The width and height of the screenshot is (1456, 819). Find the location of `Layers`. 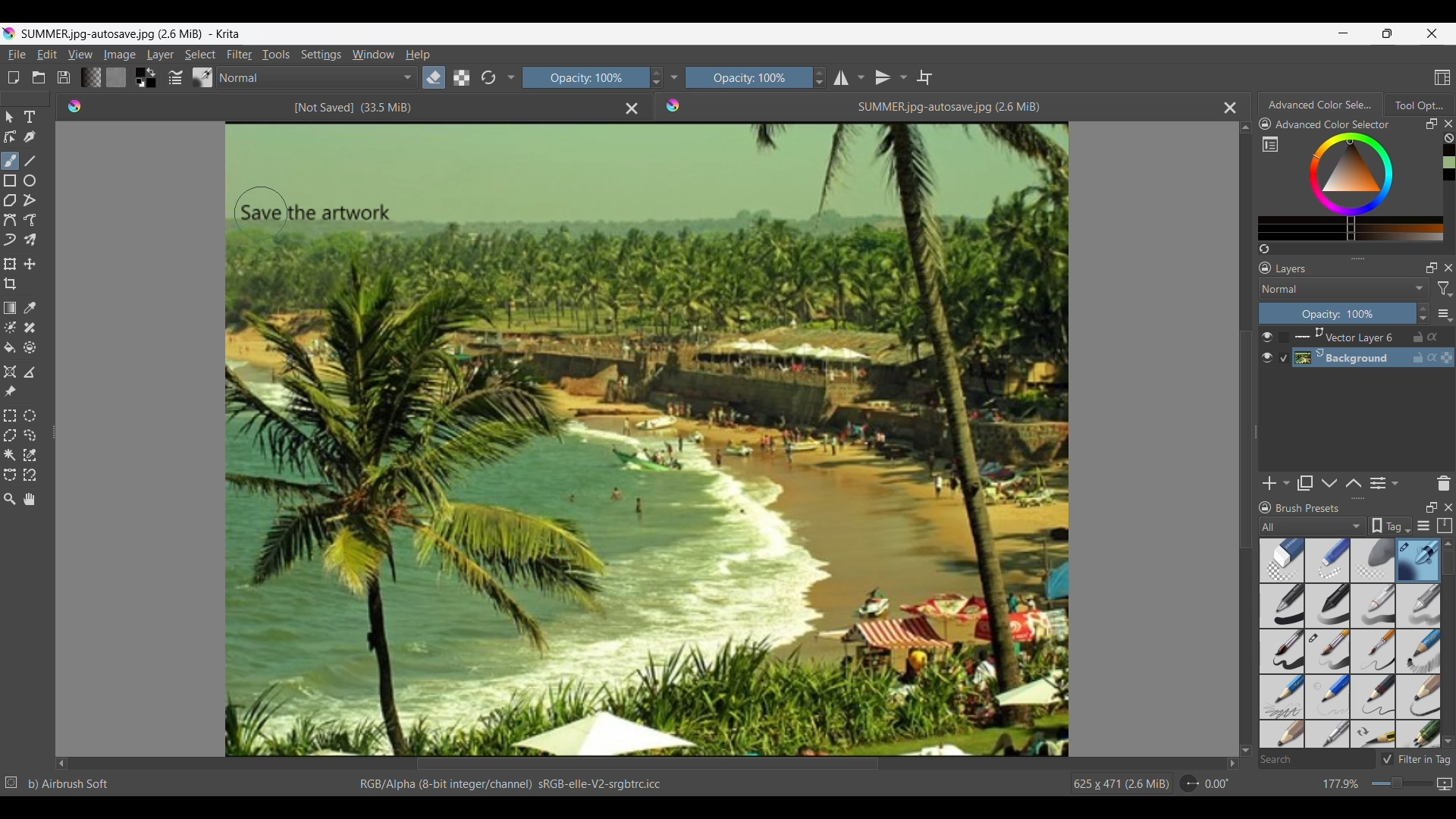

Layers is located at coordinates (1294, 268).